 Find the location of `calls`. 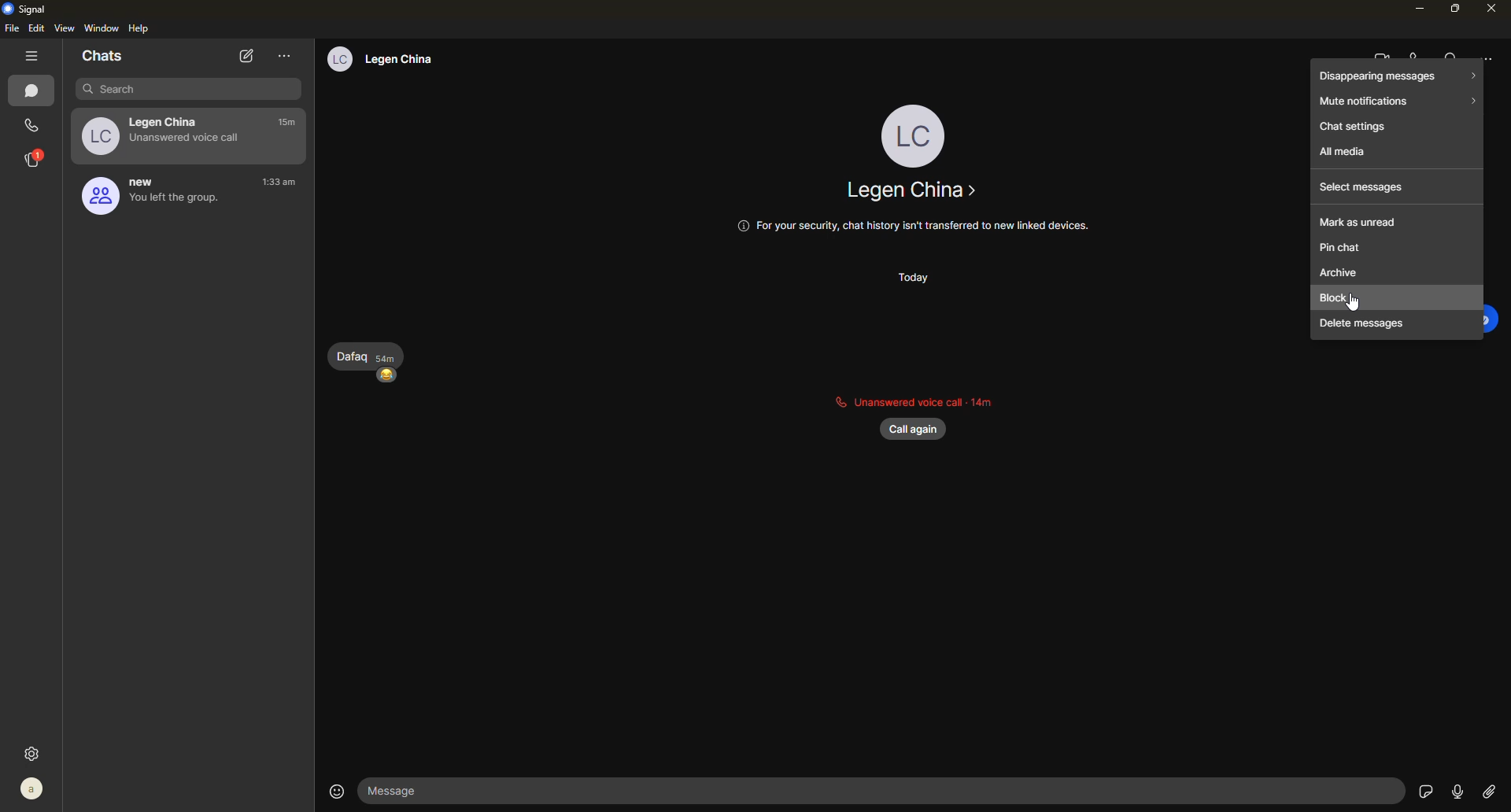

calls is located at coordinates (33, 124).